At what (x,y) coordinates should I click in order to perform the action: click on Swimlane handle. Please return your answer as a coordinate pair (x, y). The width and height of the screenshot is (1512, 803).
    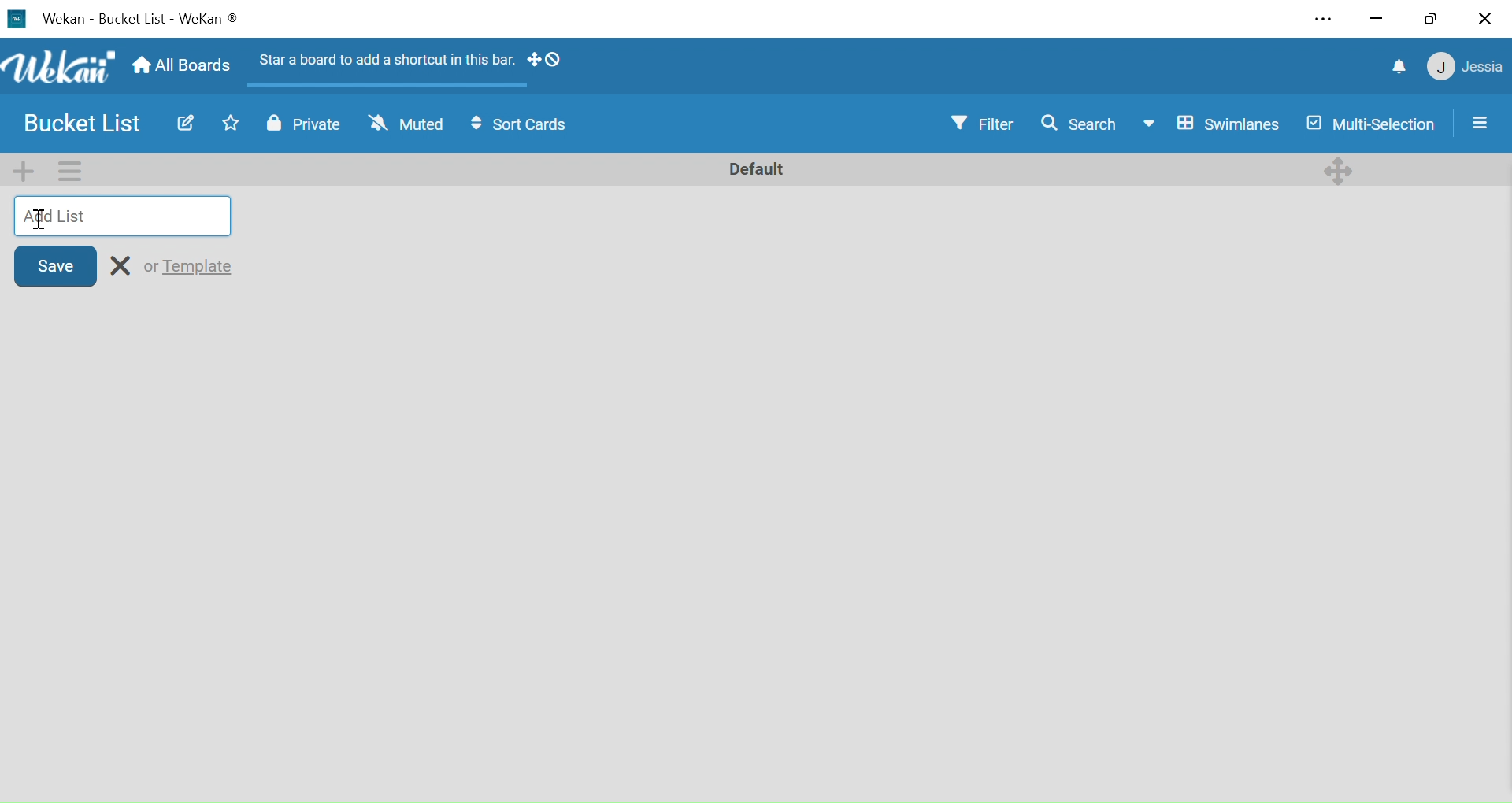
    Looking at the image, I should click on (1340, 168).